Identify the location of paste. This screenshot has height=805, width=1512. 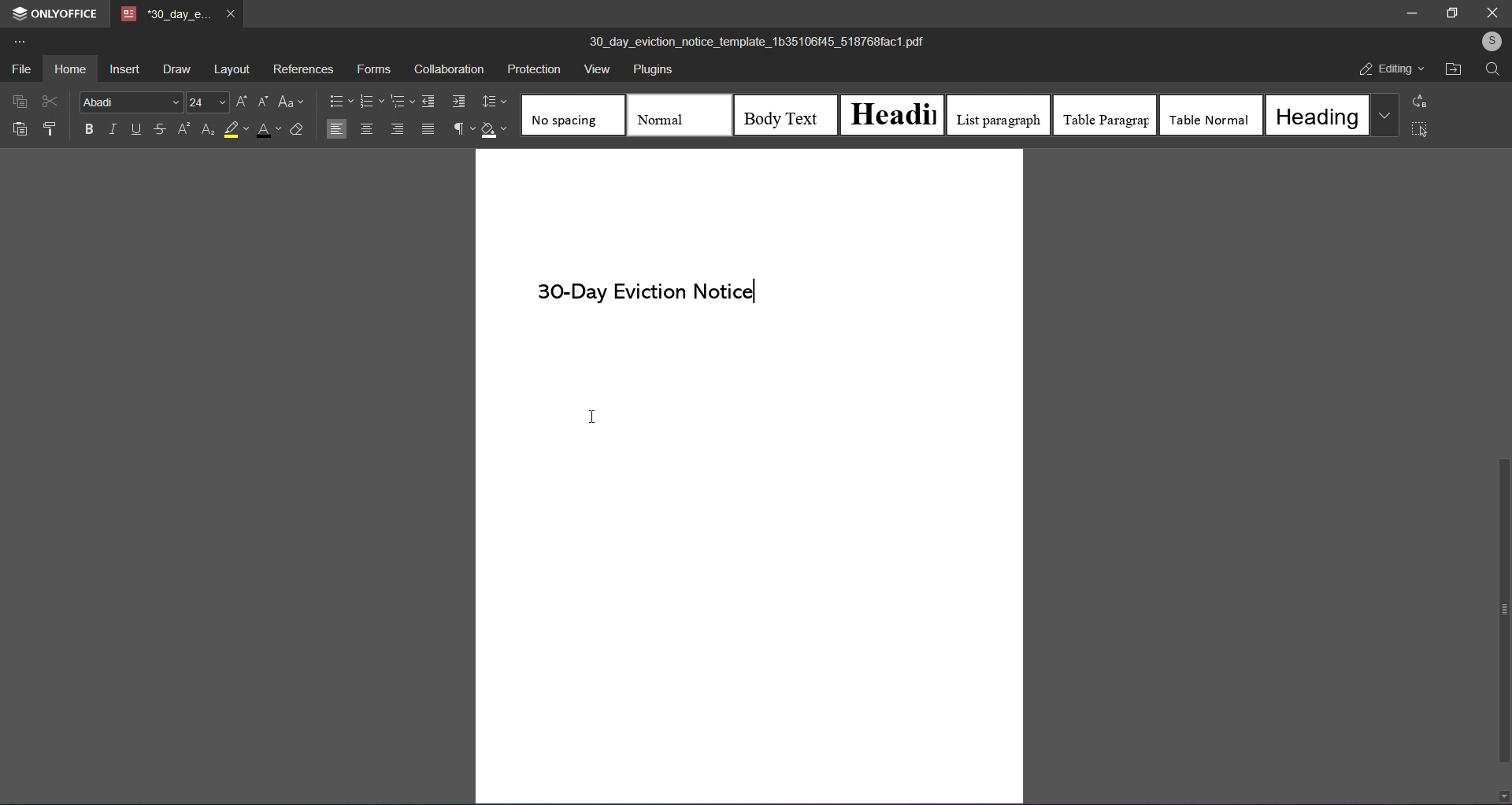
(19, 127).